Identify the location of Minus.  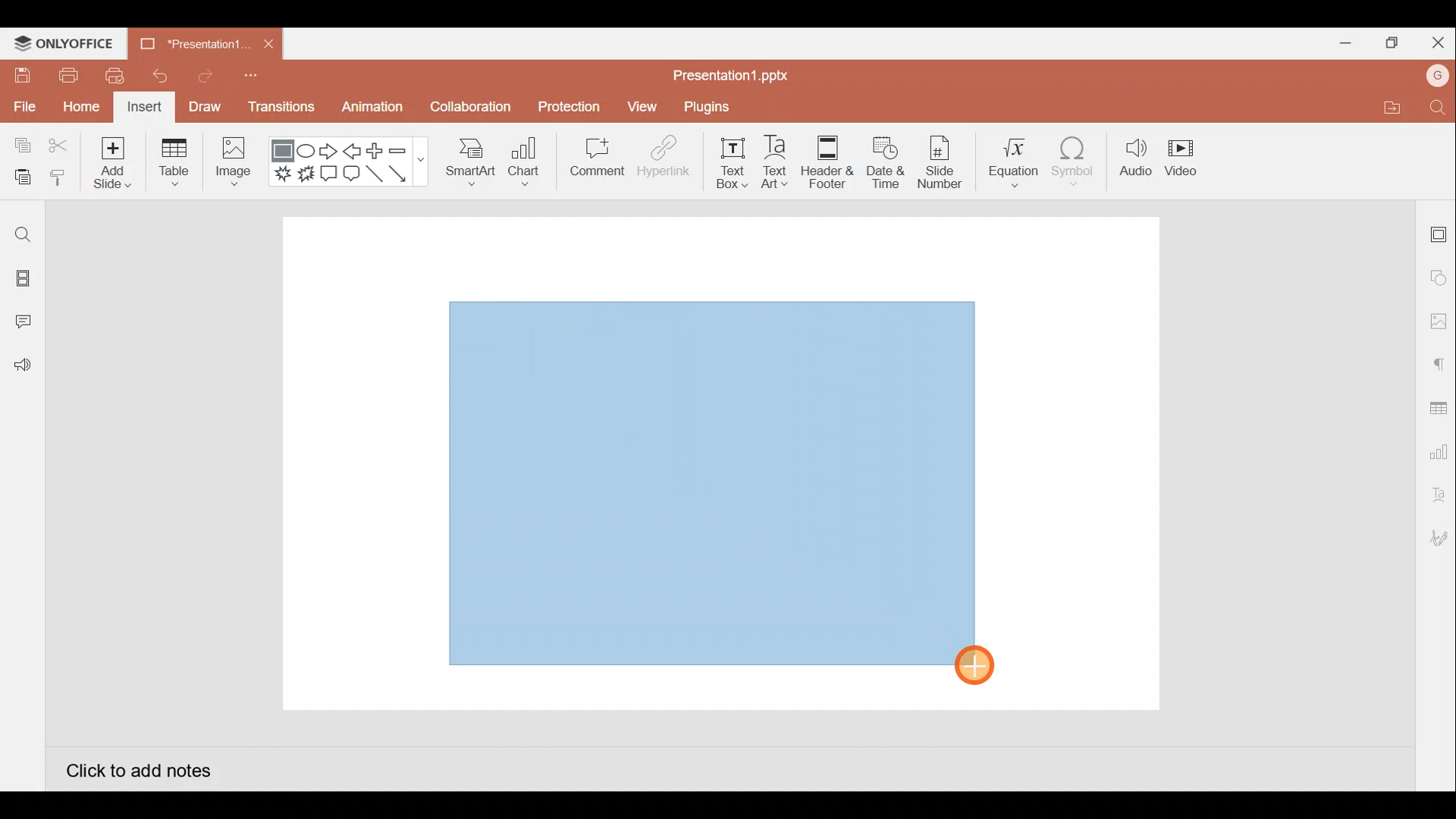
(406, 149).